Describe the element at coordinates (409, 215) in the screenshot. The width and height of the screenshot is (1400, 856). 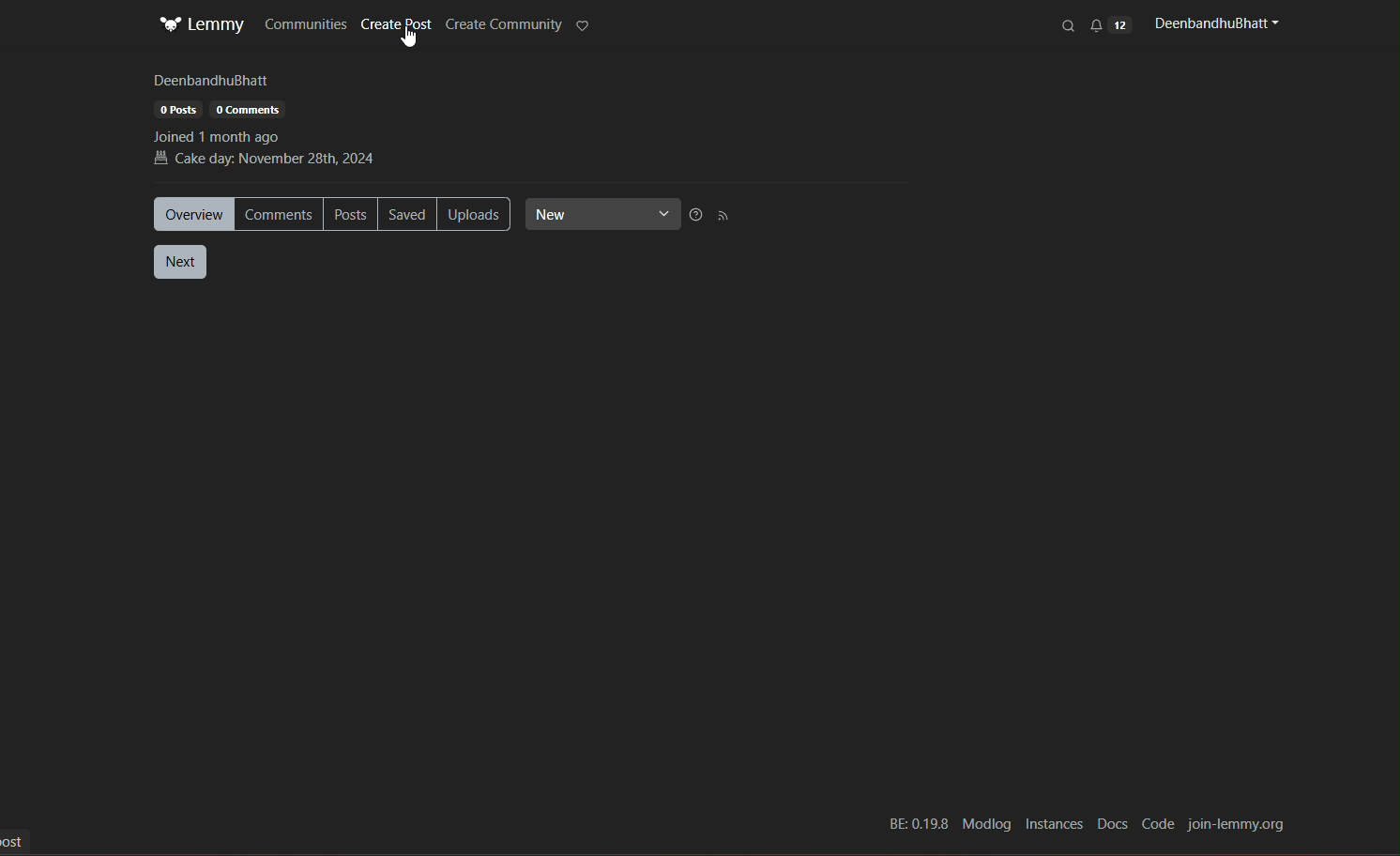
I see `Saved` at that location.